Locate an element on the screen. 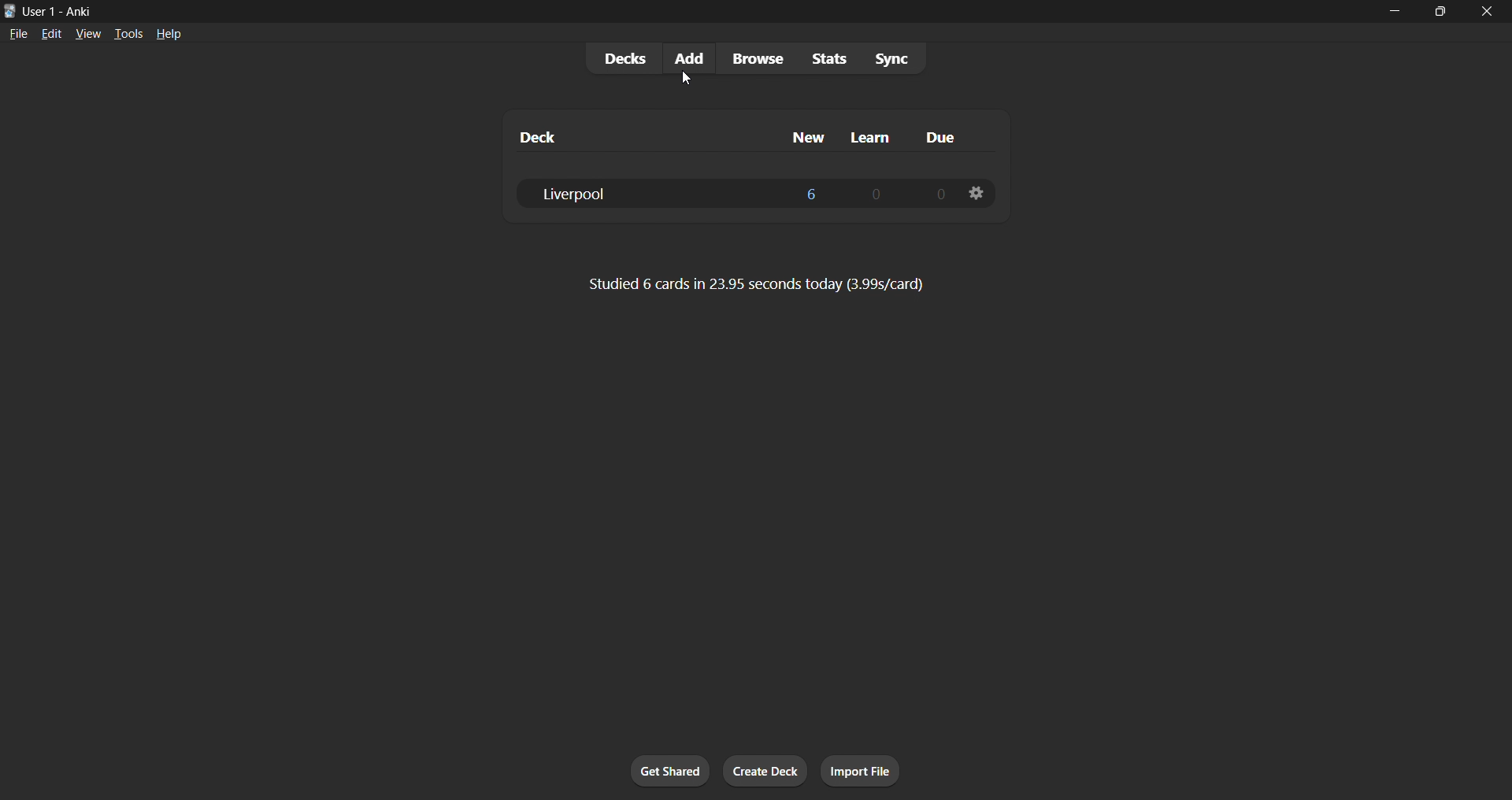 This screenshot has width=1512, height=800. edit is located at coordinates (52, 33).